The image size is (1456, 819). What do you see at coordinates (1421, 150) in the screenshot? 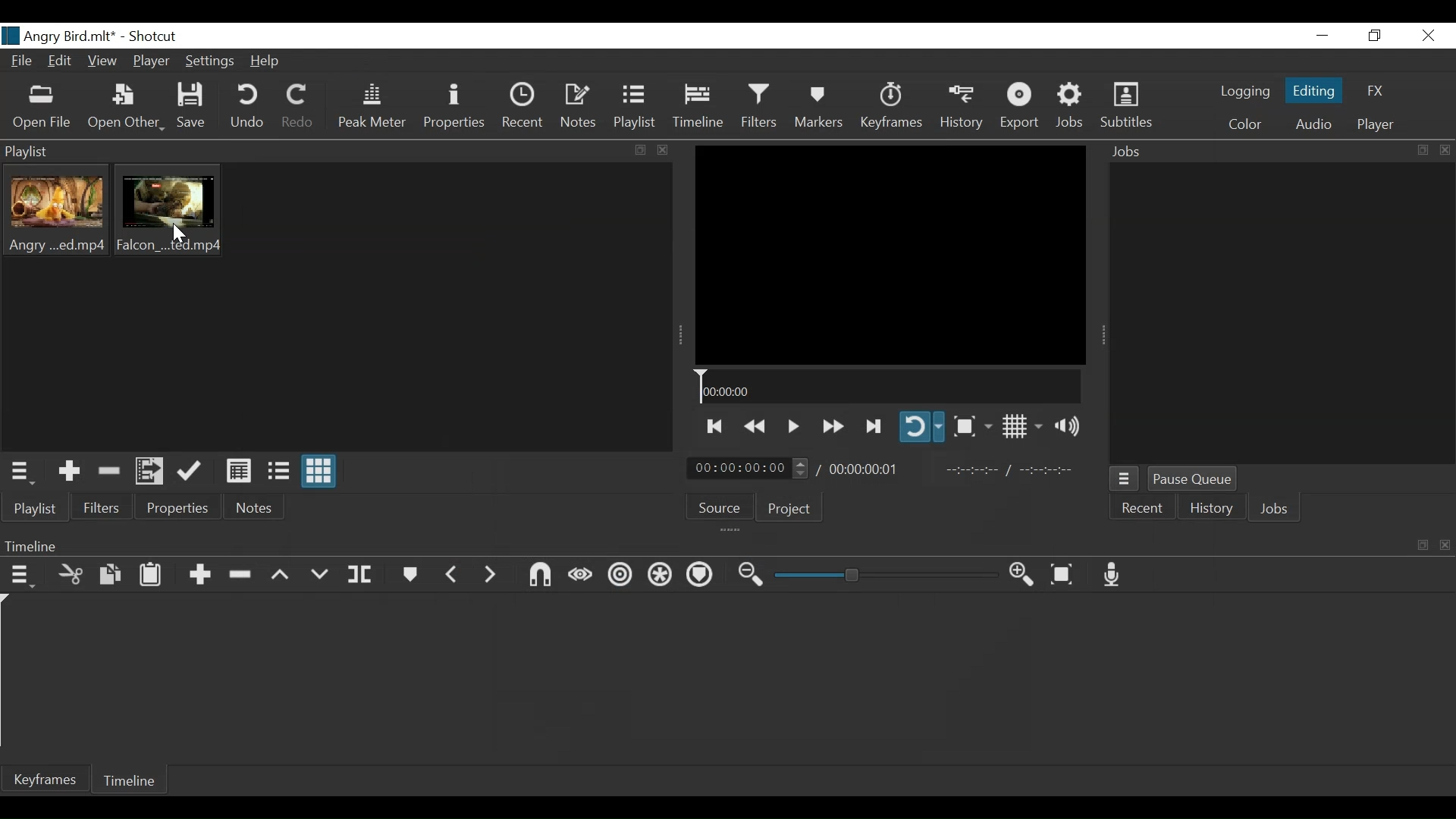
I see `copy` at bounding box center [1421, 150].